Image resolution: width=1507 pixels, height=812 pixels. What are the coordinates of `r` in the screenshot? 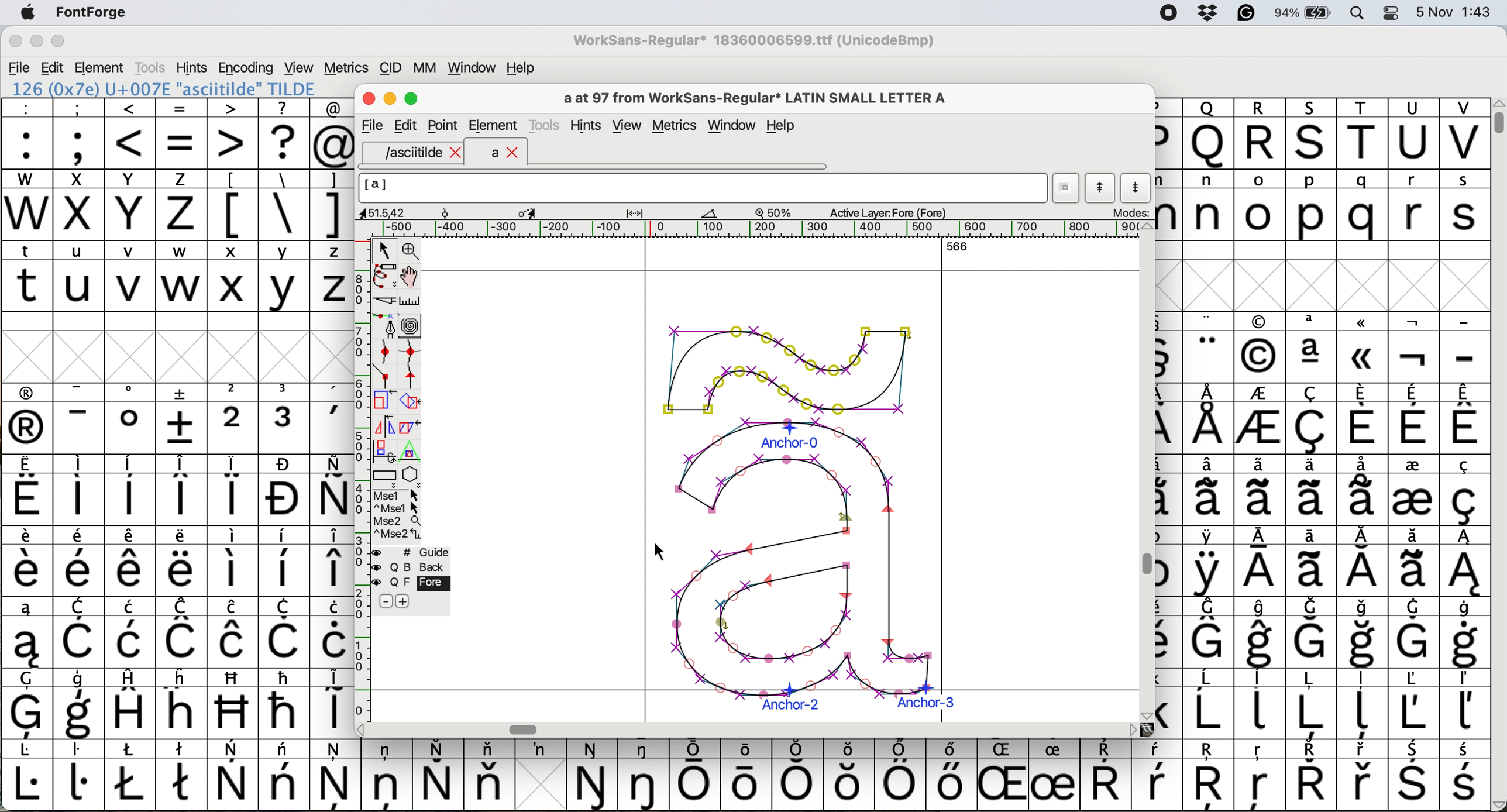 It's located at (1412, 205).